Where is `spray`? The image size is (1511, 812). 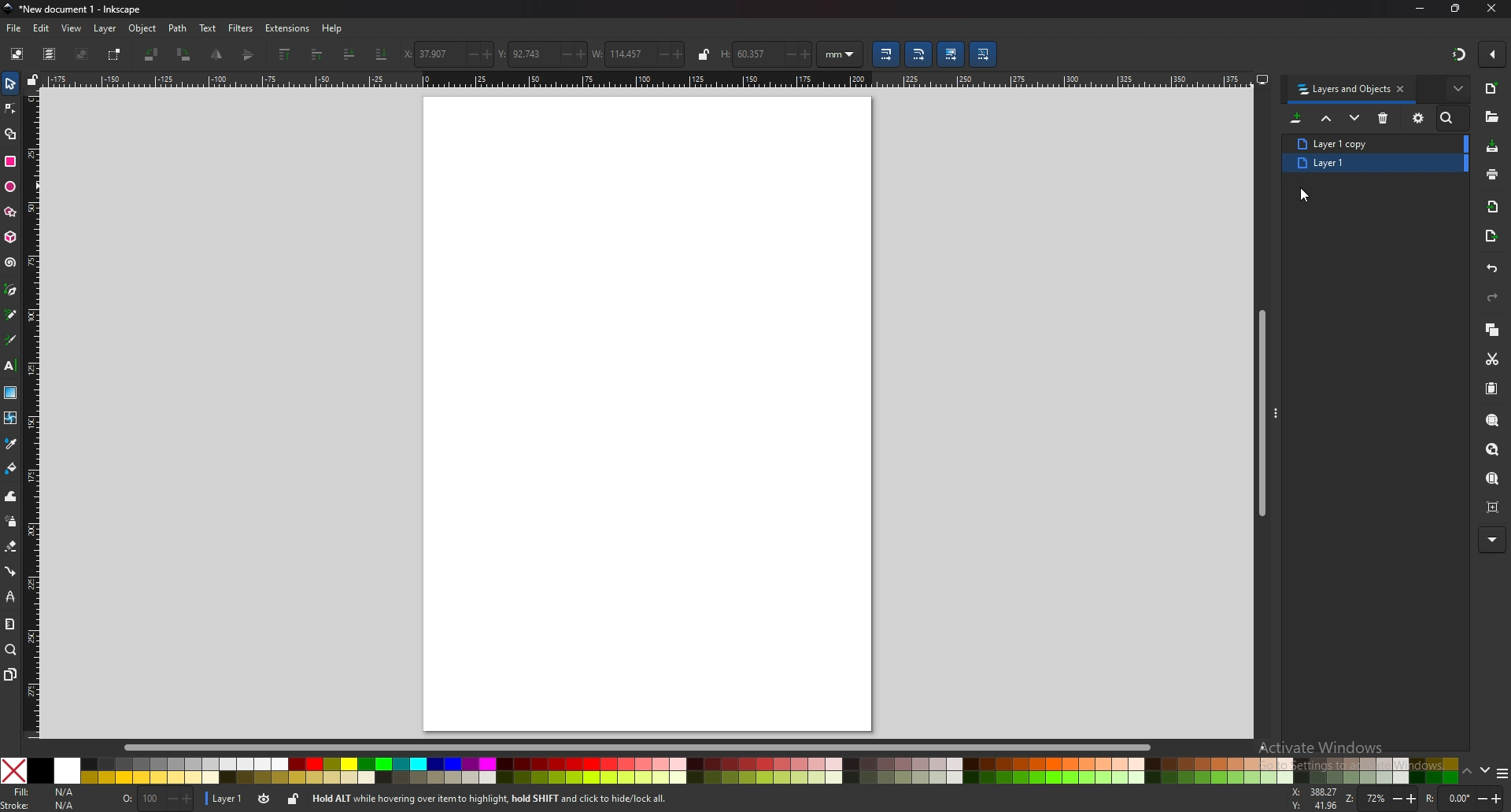
spray is located at coordinates (11, 520).